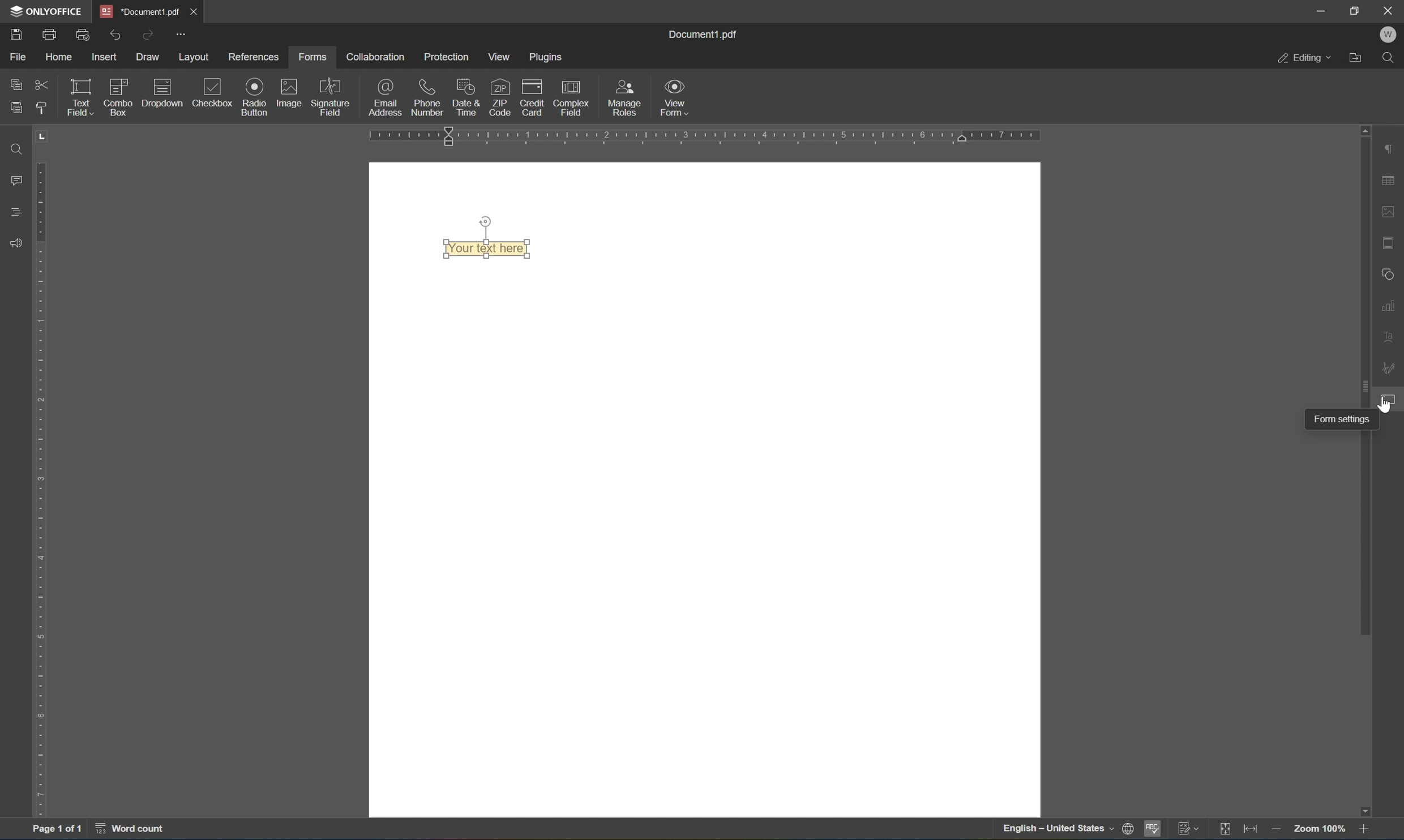 This screenshot has width=1404, height=840. I want to click on zip code, so click(499, 97).